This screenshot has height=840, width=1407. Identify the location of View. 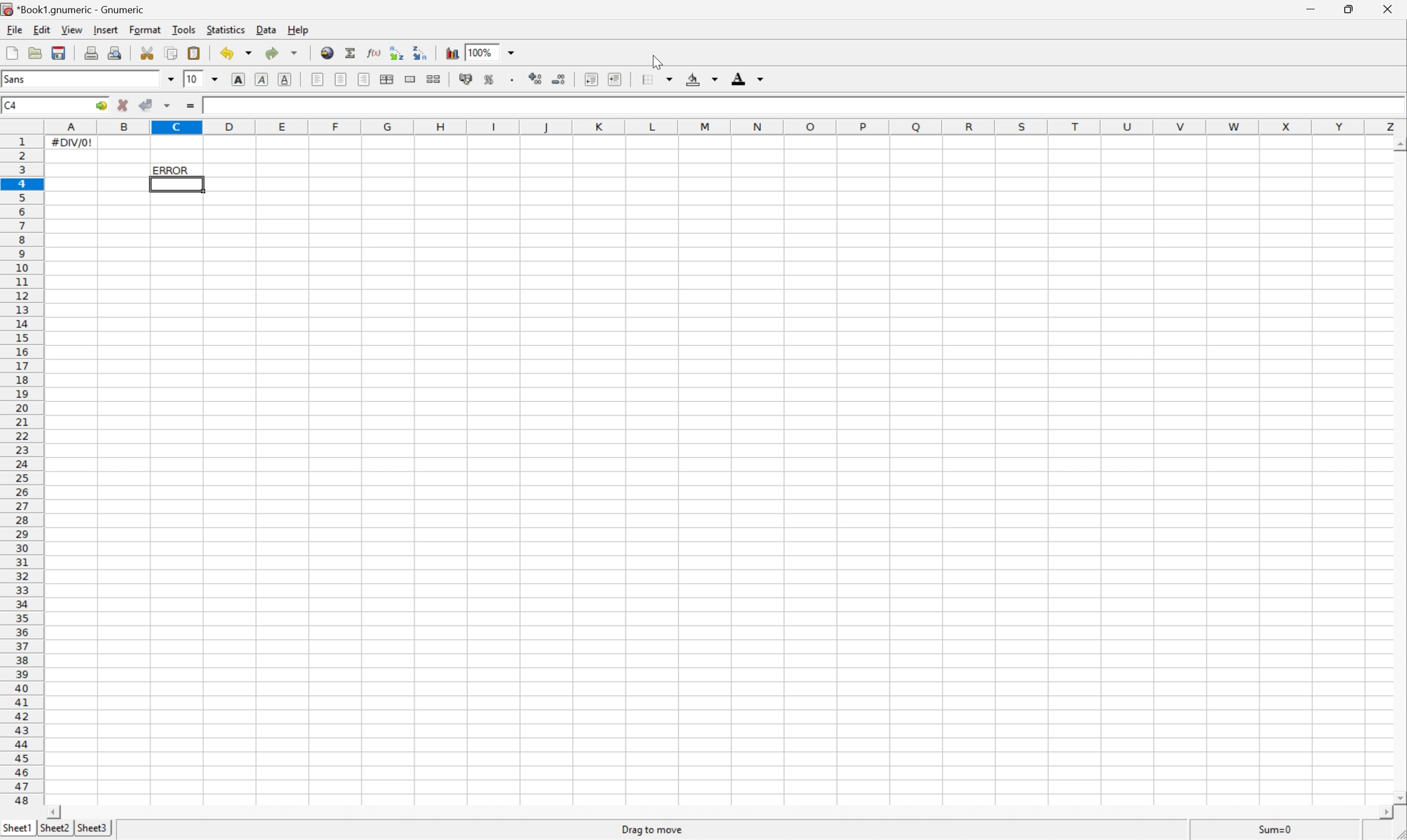
(72, 29).